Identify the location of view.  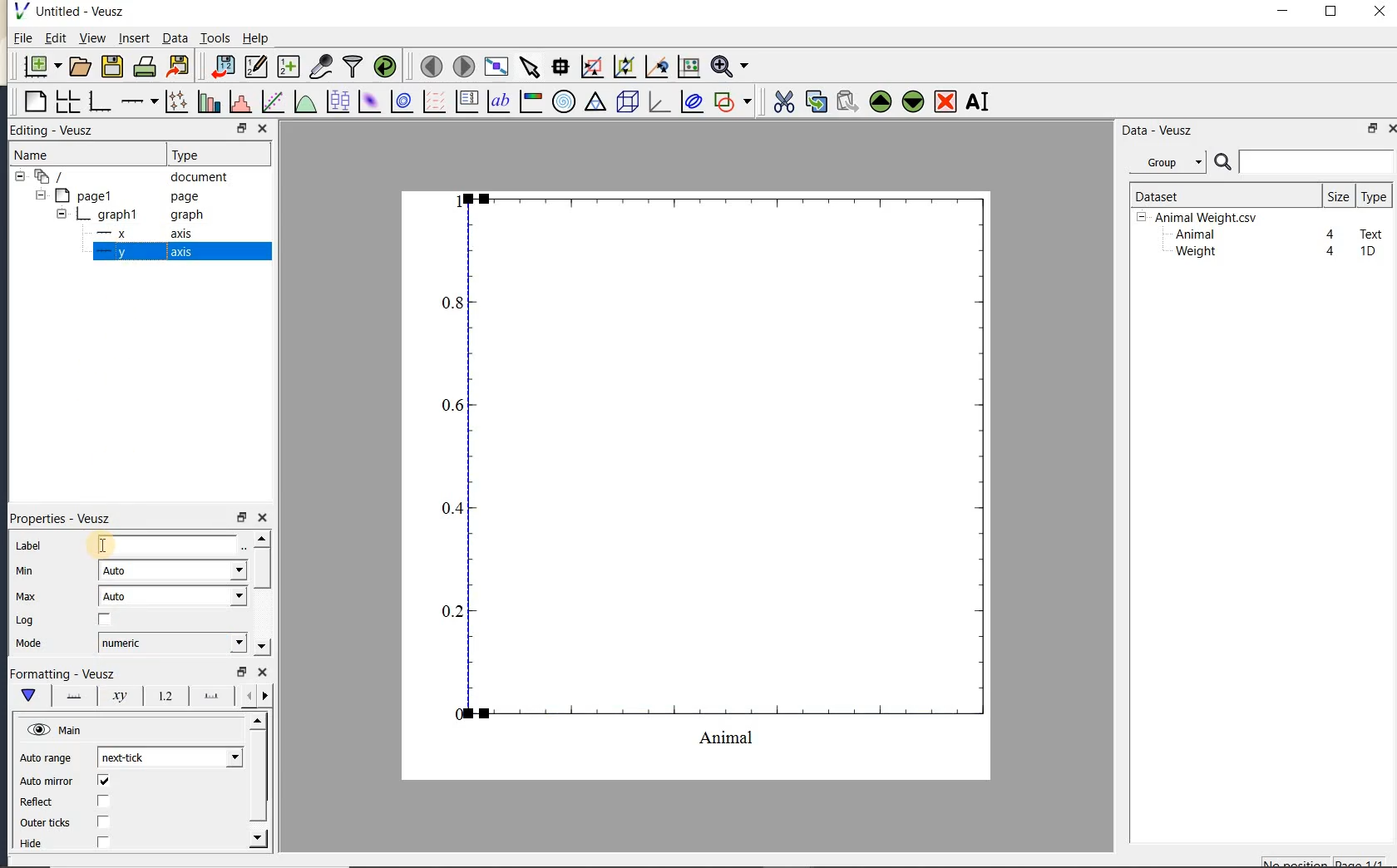
(91, 40).